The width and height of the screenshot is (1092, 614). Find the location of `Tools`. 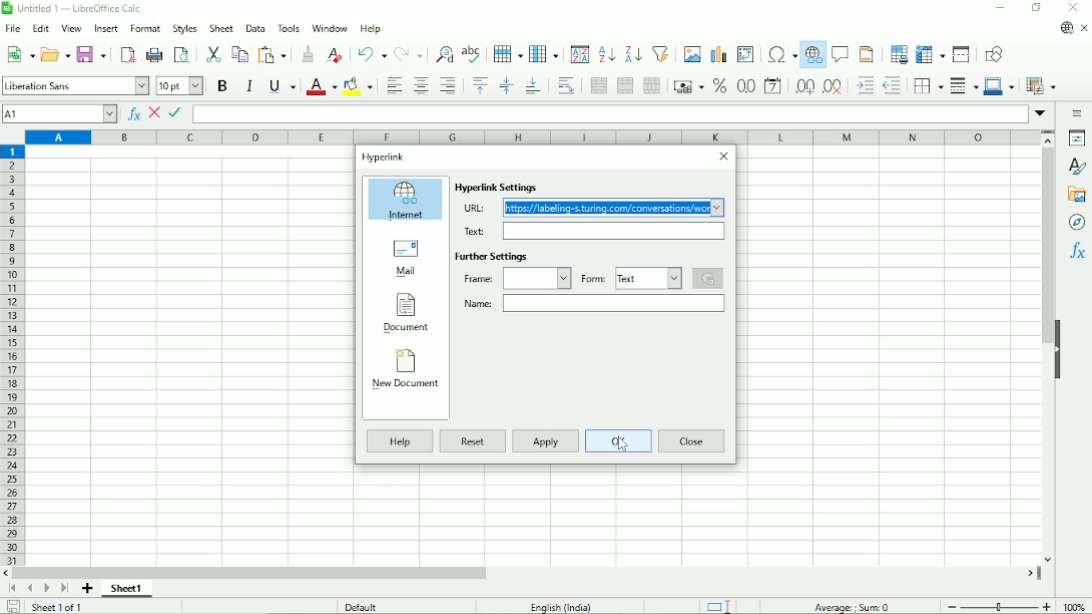

Tools is located at coordinates (289, 27).